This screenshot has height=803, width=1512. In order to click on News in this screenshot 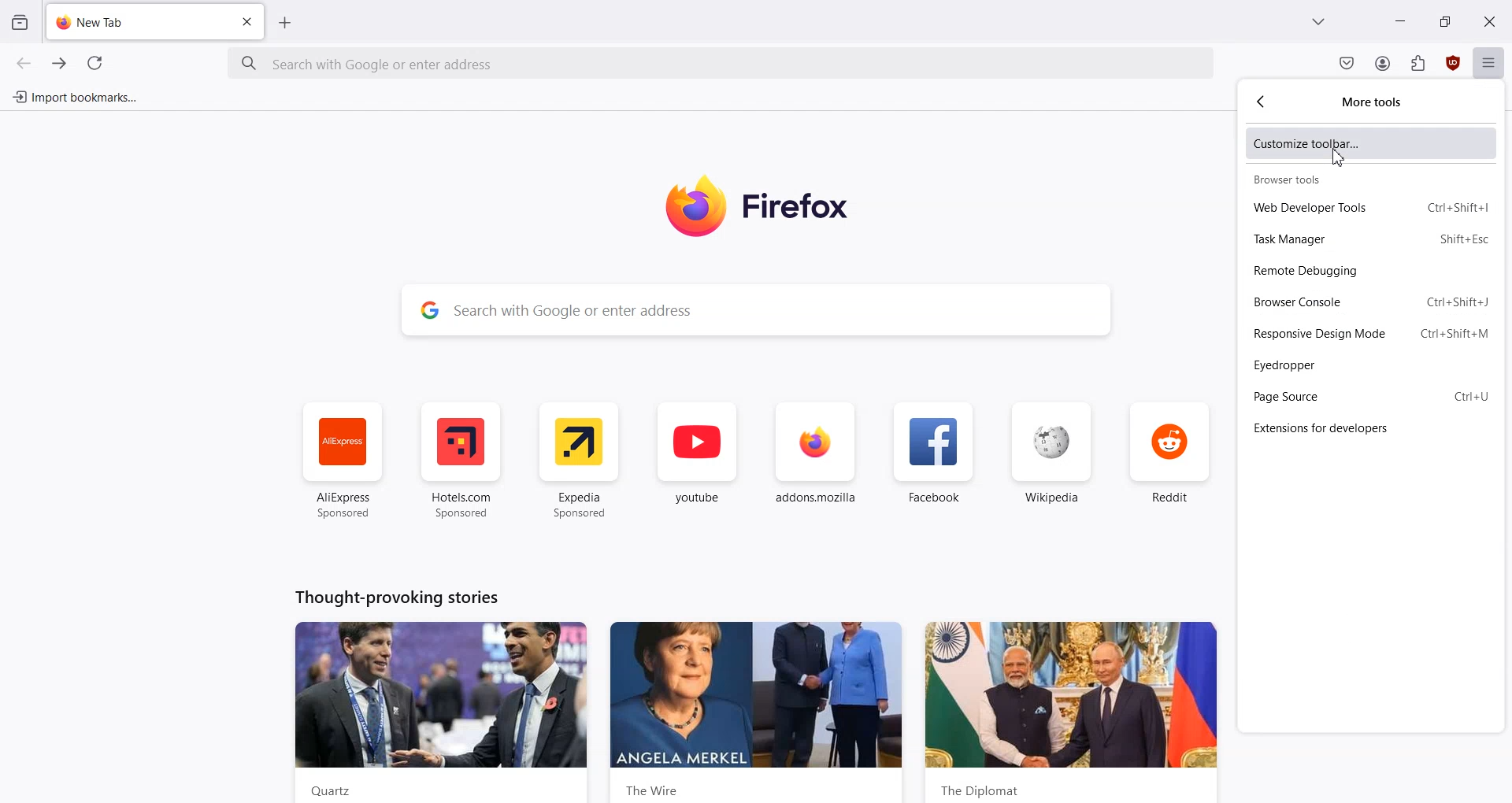, I will do `click(1072, 711)`.